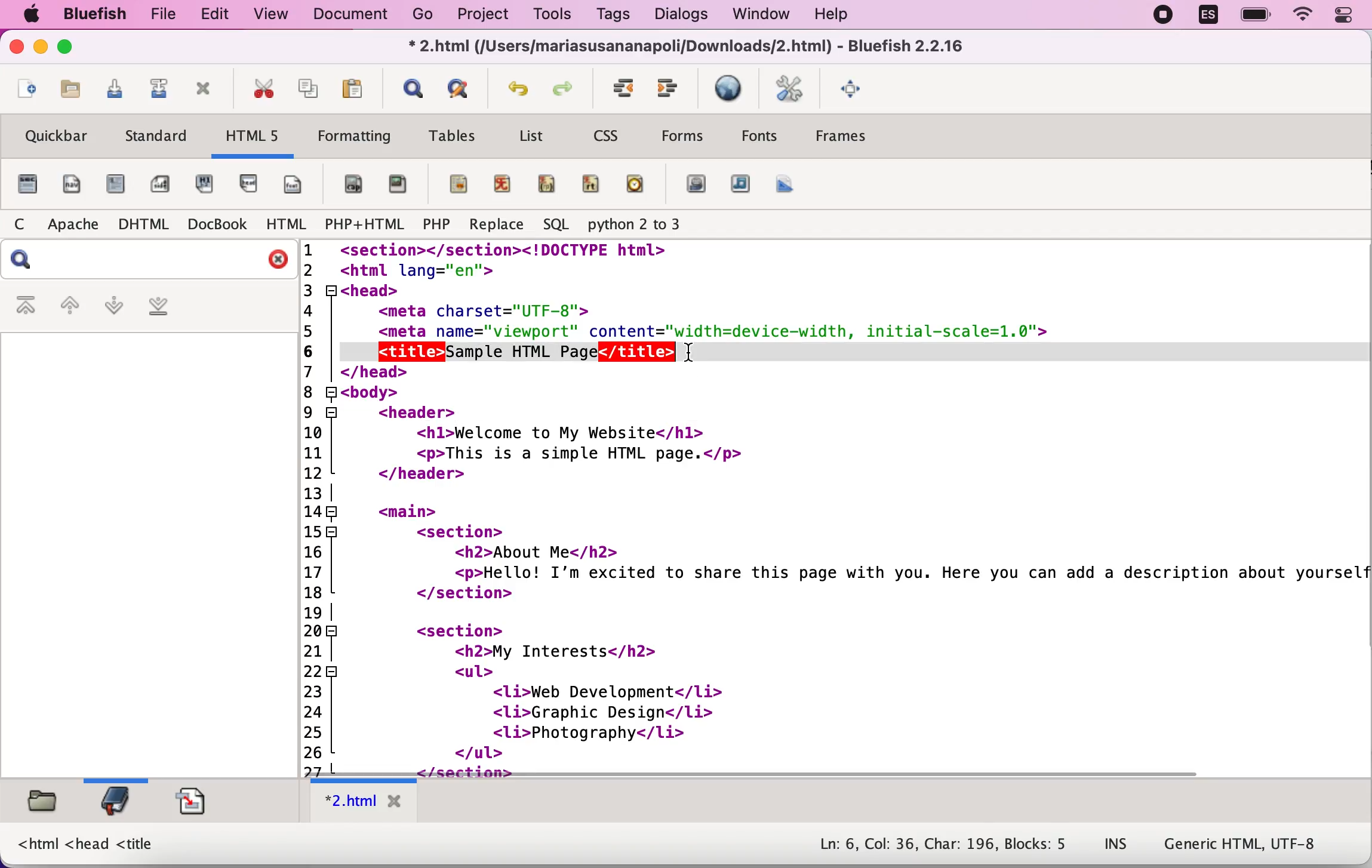 The height and width of the screenshot is (868, 1372). I want to click on file, so click(27, 184).